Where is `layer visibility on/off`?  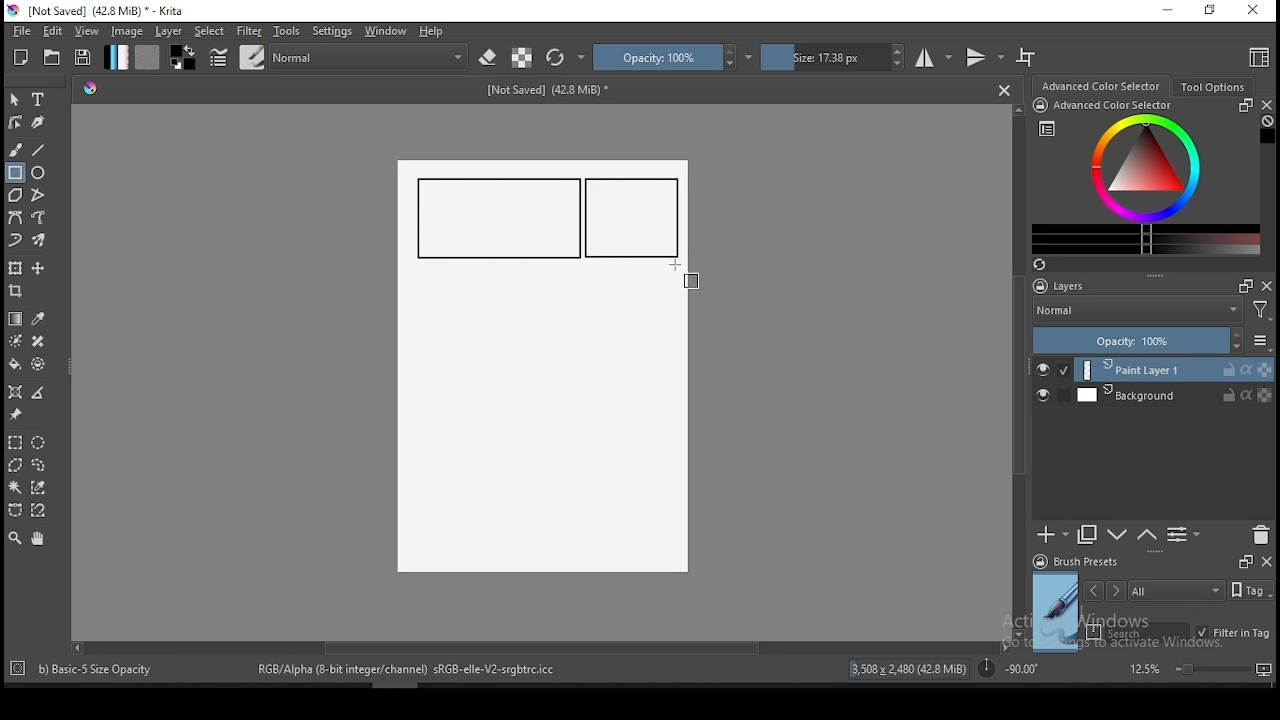
layer visibility on/off is located at coordinates (1048, 397).